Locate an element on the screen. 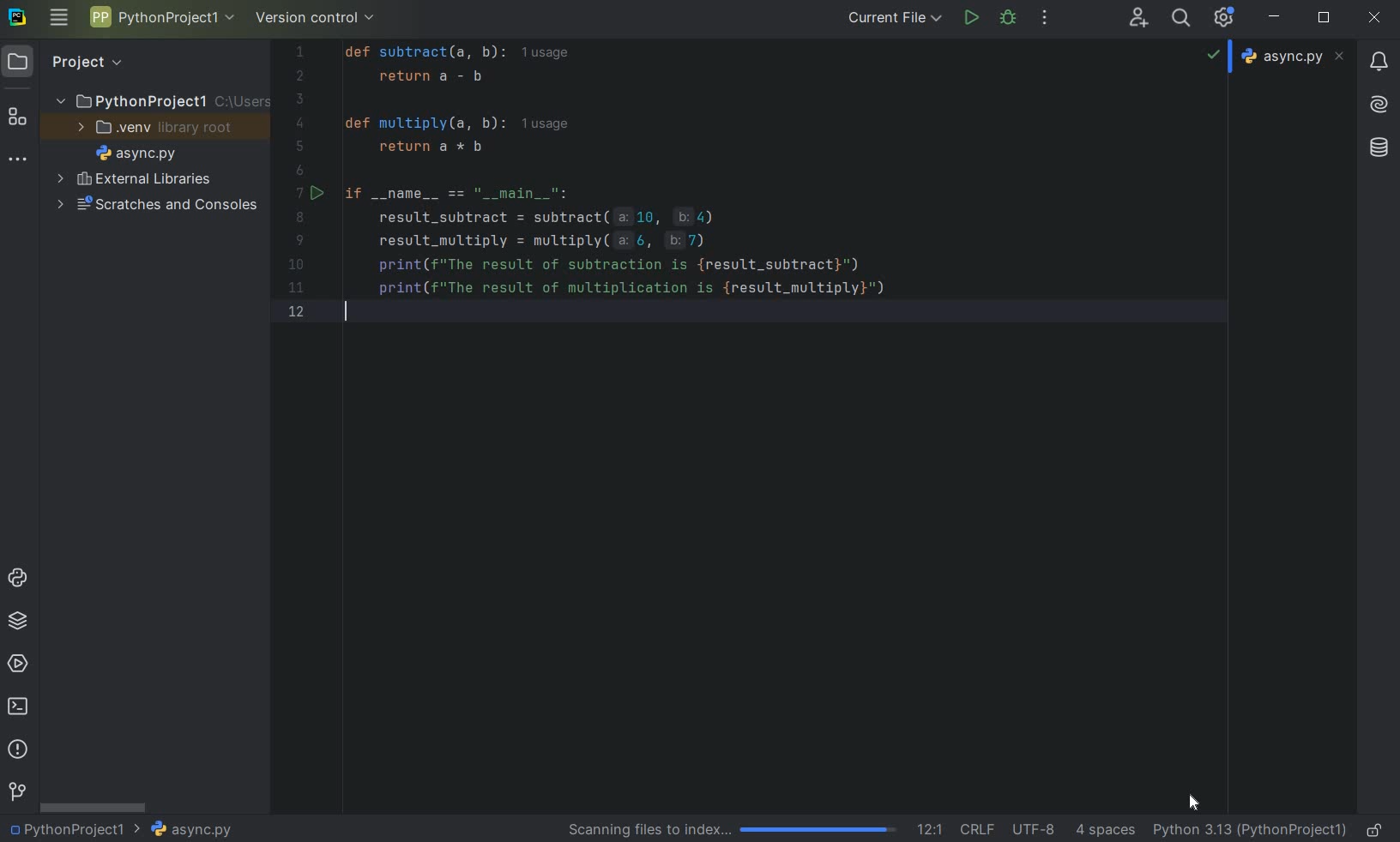  services is located at coordinates (17, 663).